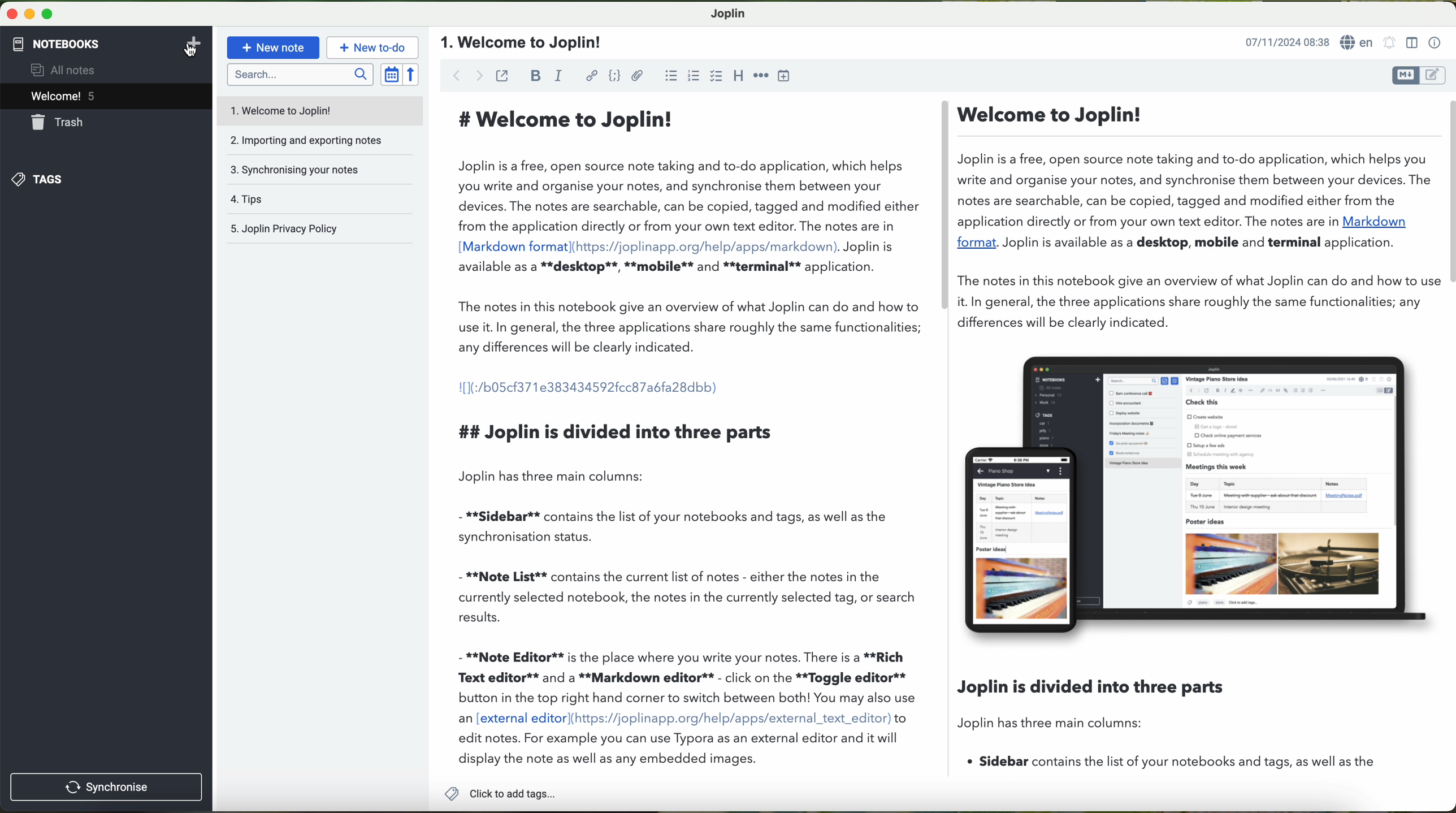 Image resolution: width=1456 pixels, height=813 pixels. What do you see at coordinates (249, 200) in the screenshot?
I see `tips` at bounding box center [249, 200].